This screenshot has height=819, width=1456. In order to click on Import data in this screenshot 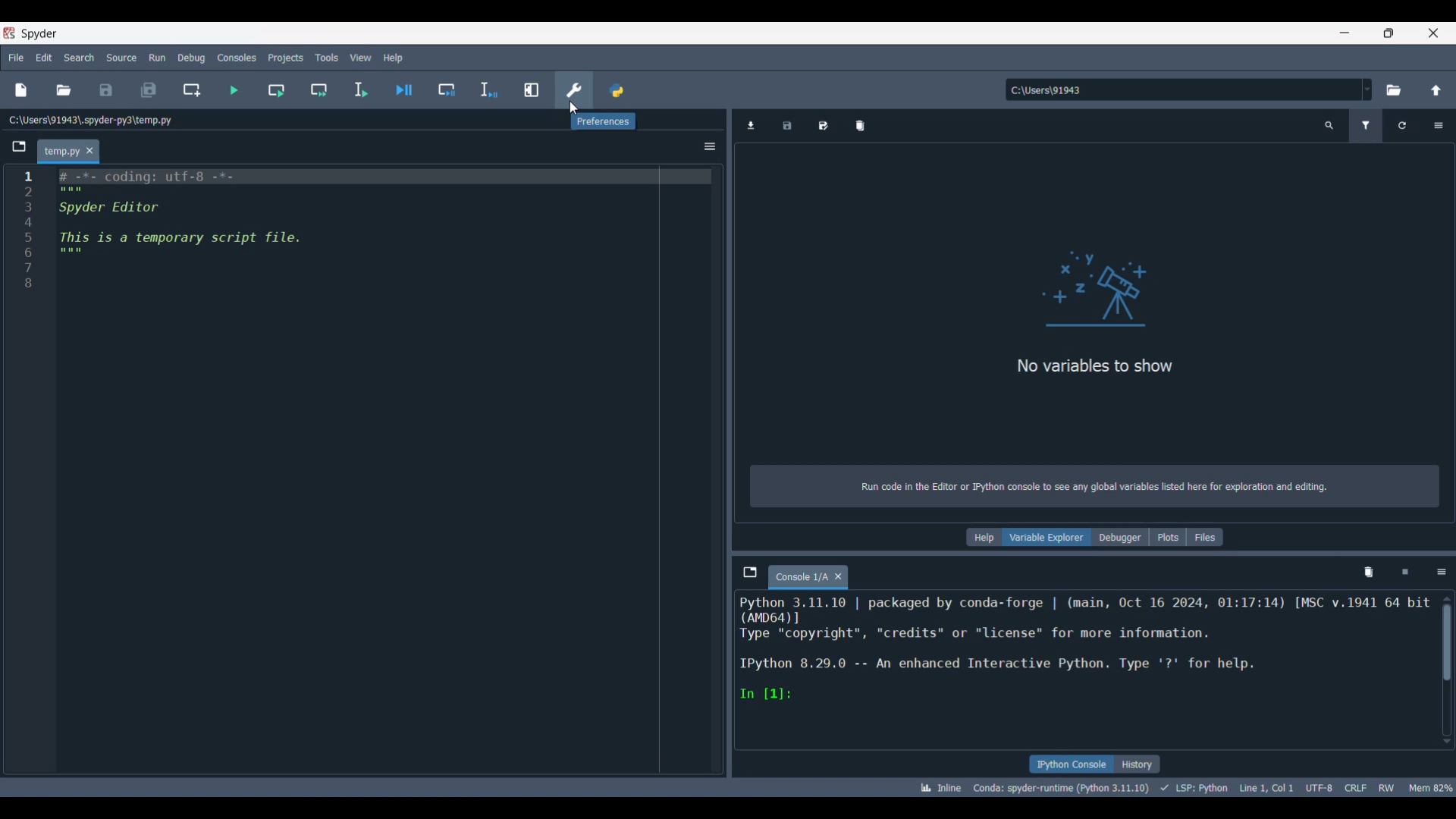, I will do `click(751, 126)`.